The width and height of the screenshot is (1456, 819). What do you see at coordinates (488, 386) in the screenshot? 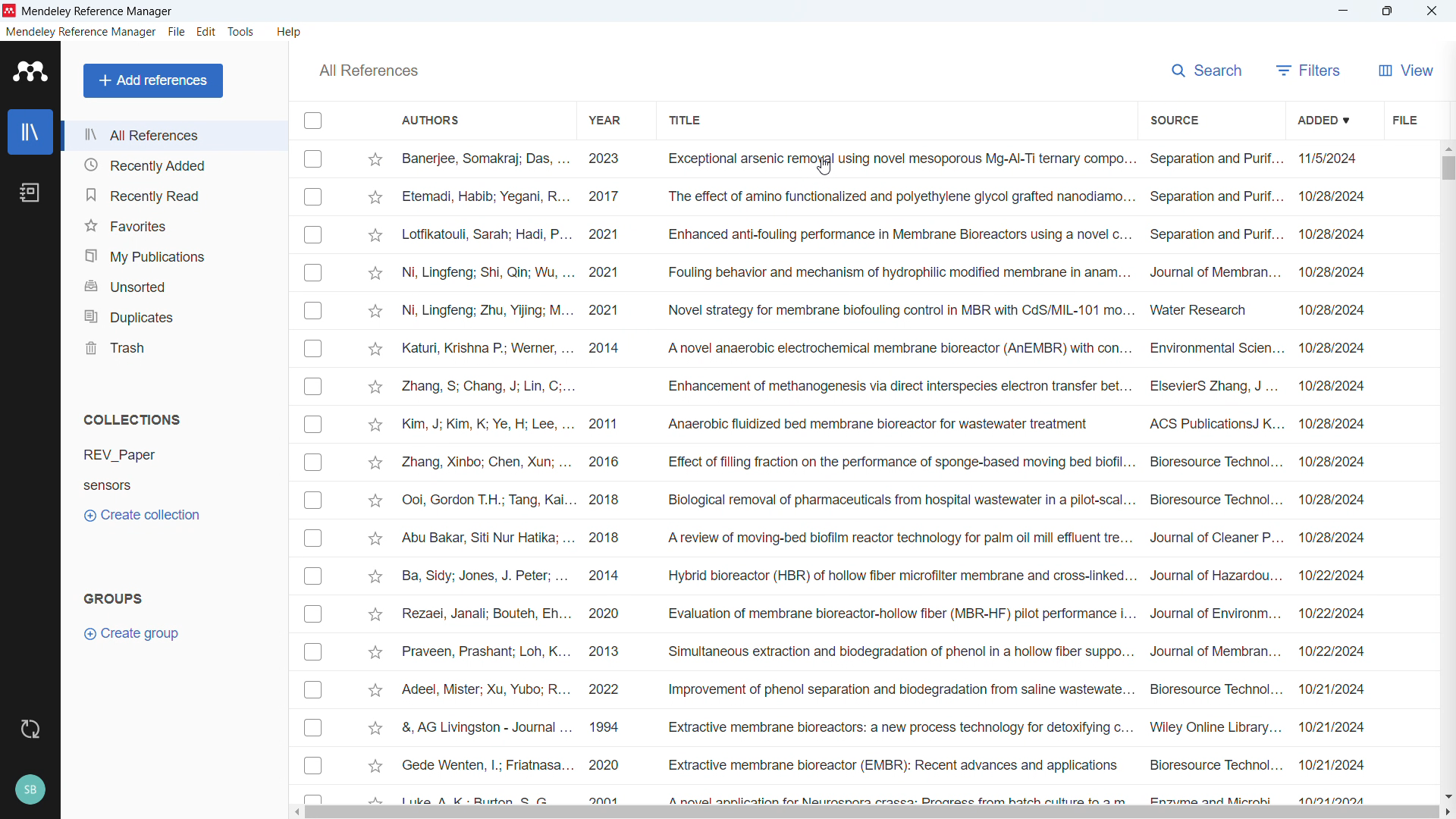
I see `zhang,s,chang,j,lin,c` at bounding box center [488, 386].